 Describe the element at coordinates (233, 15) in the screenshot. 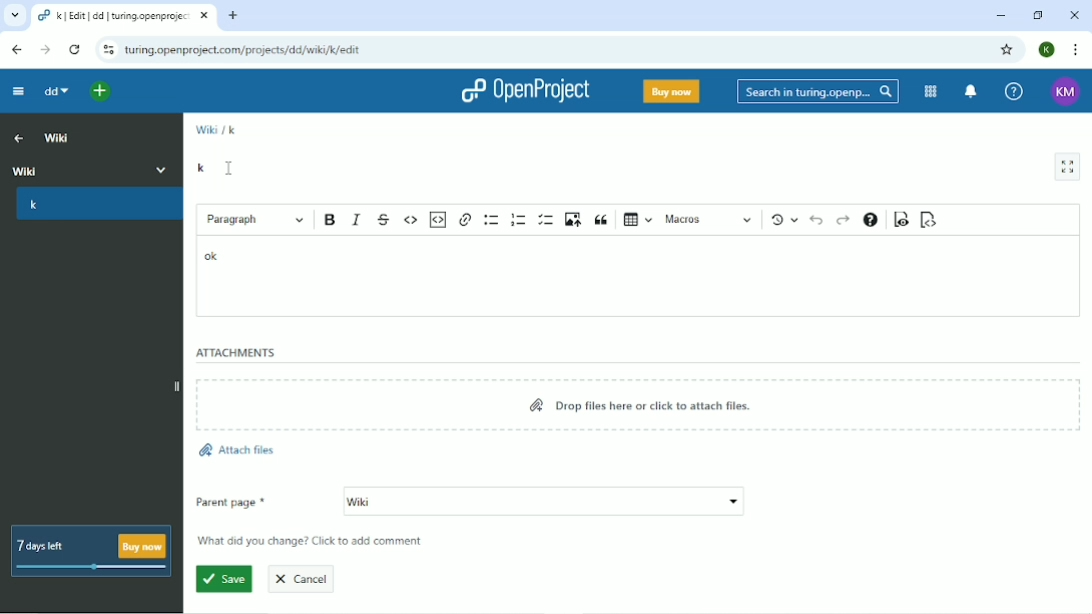

I see `New tab` at that location.